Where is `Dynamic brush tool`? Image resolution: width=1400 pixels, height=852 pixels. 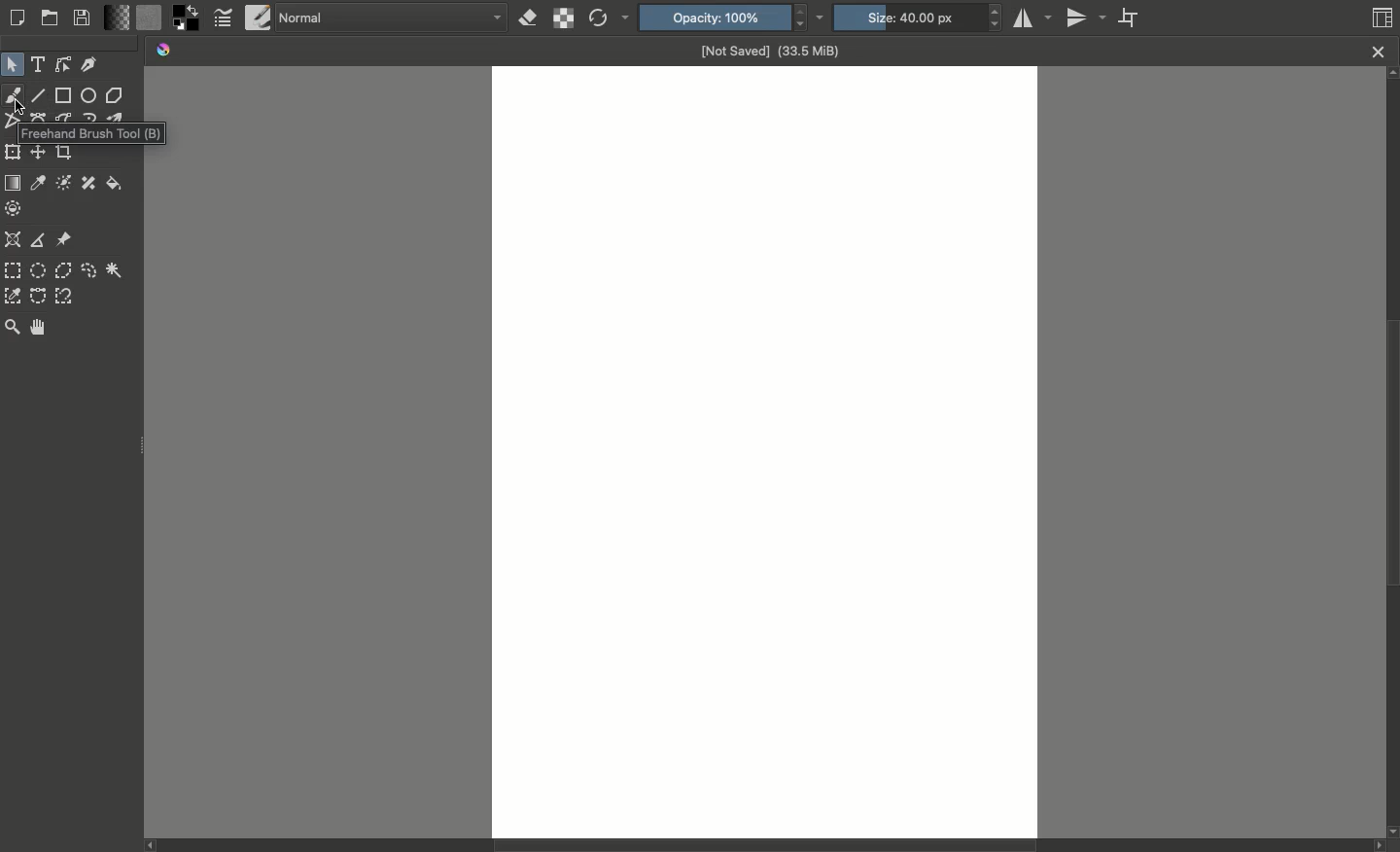 Dynamic brush tool is located at coordinates (90, 117).